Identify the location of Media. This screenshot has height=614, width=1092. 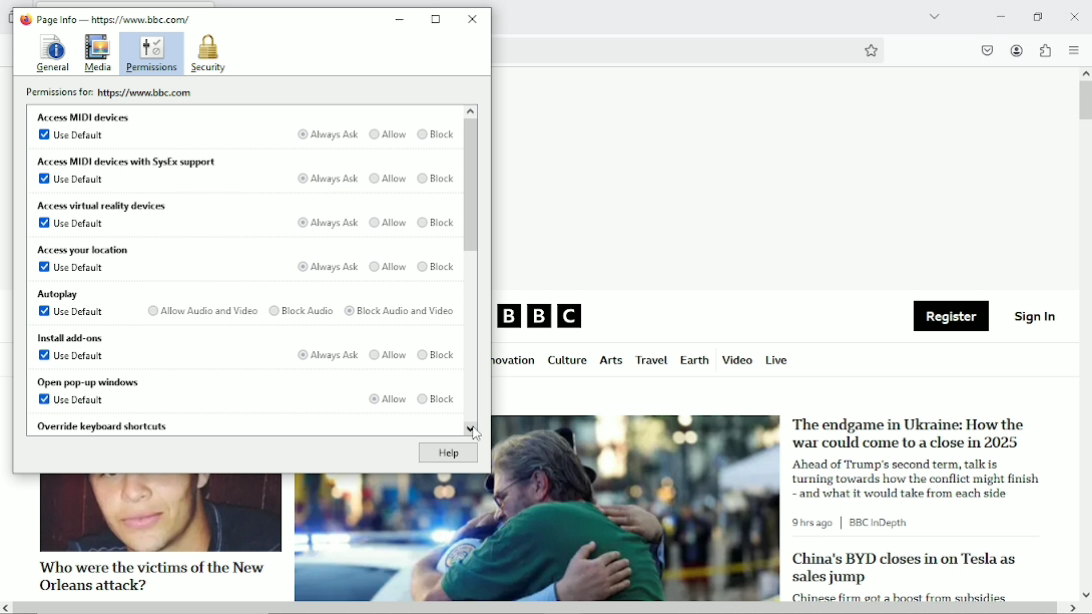
(98, 54).